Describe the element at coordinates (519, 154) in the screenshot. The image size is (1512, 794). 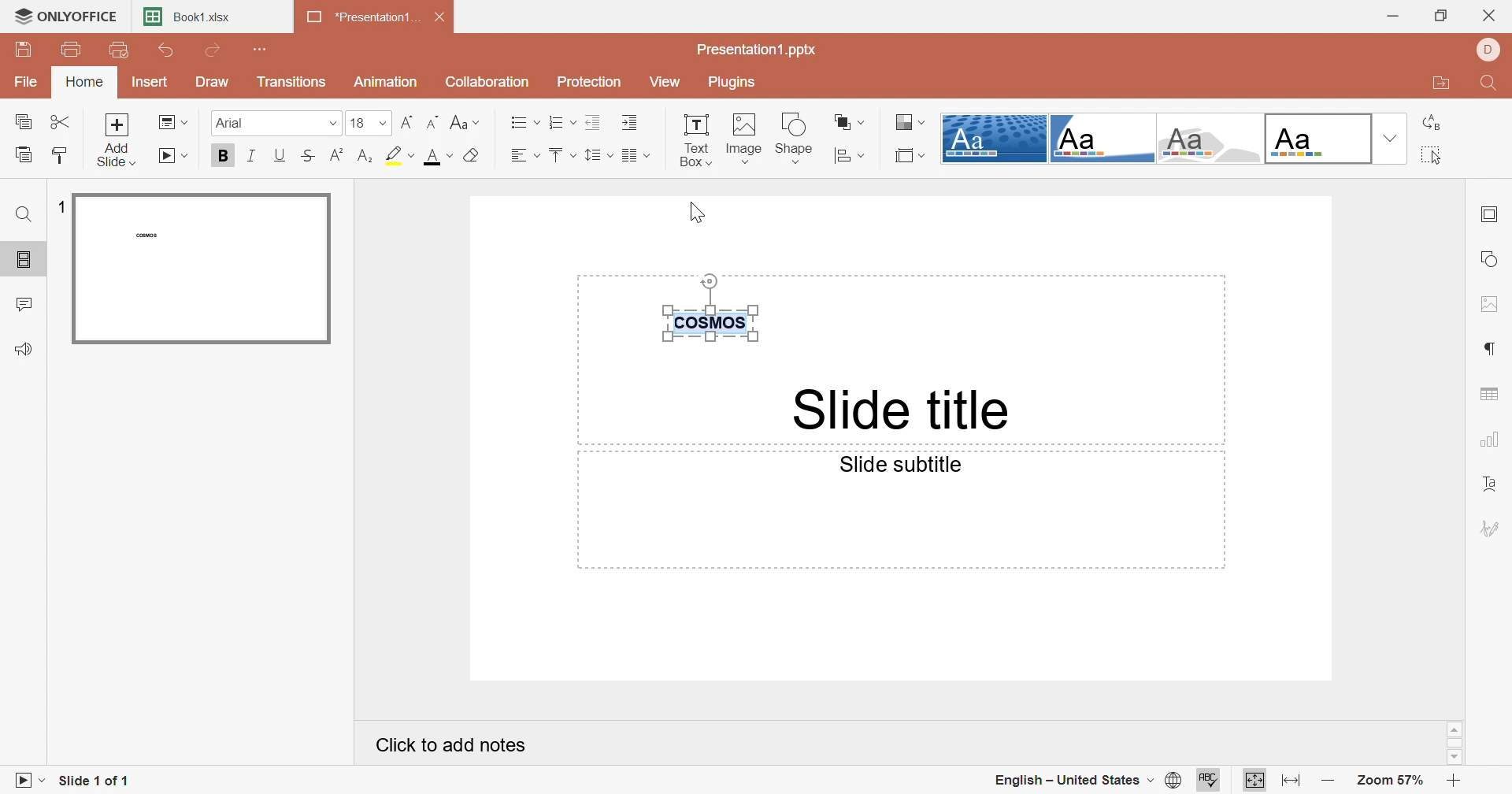
I see `Horizontal align` at that location.